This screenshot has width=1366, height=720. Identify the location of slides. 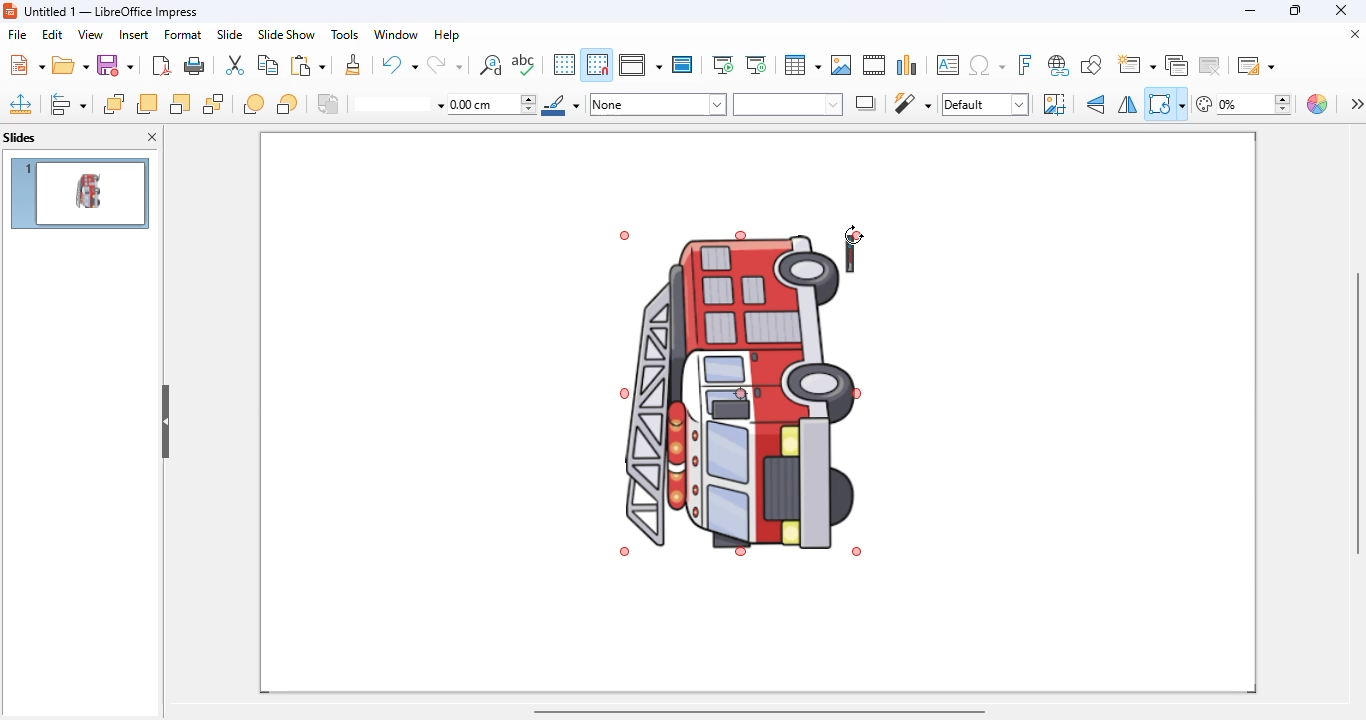
(20, 137).